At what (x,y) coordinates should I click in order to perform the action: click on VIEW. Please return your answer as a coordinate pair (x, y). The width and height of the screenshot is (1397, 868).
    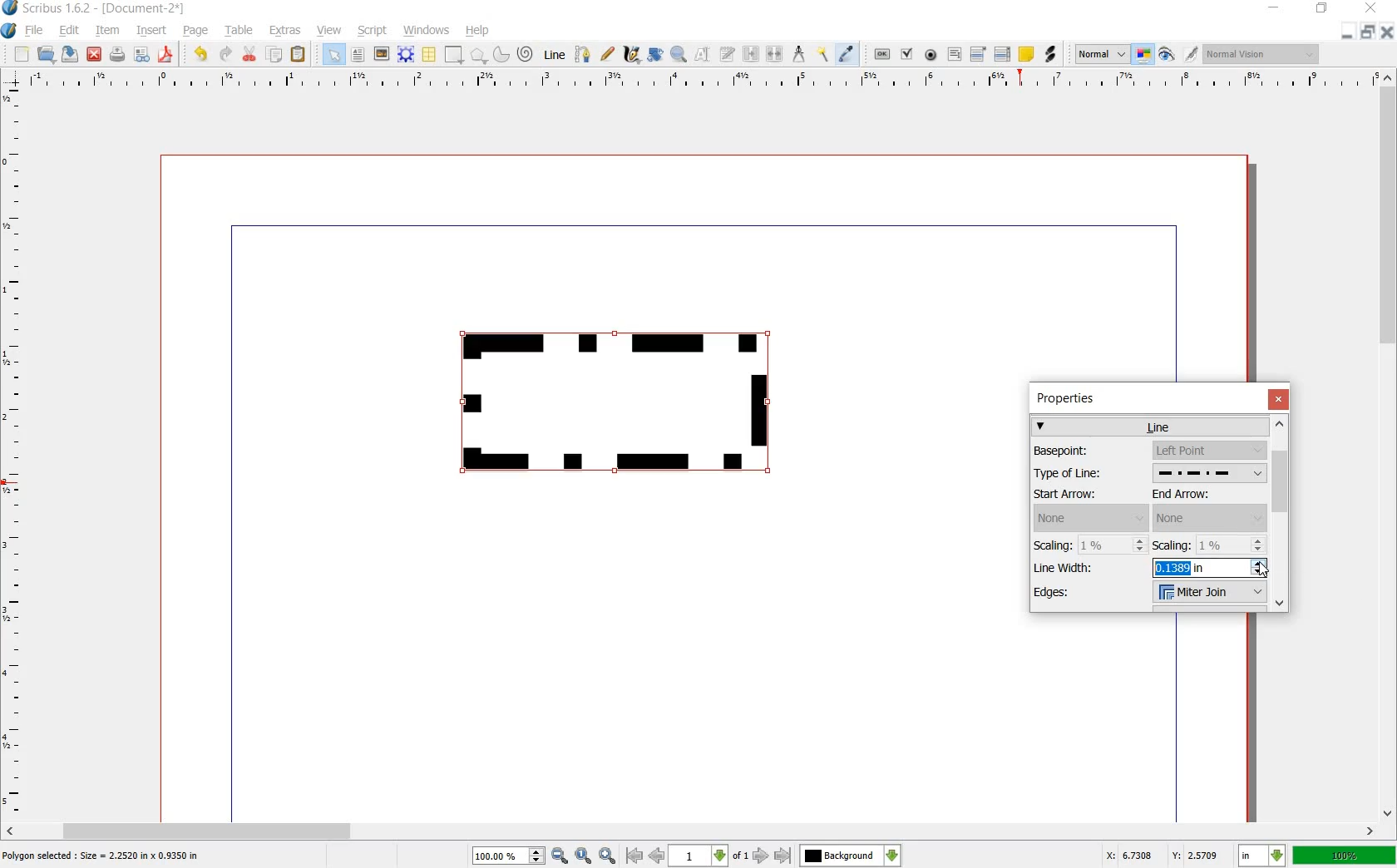
    Looking at the image, I should click on (328, 32).